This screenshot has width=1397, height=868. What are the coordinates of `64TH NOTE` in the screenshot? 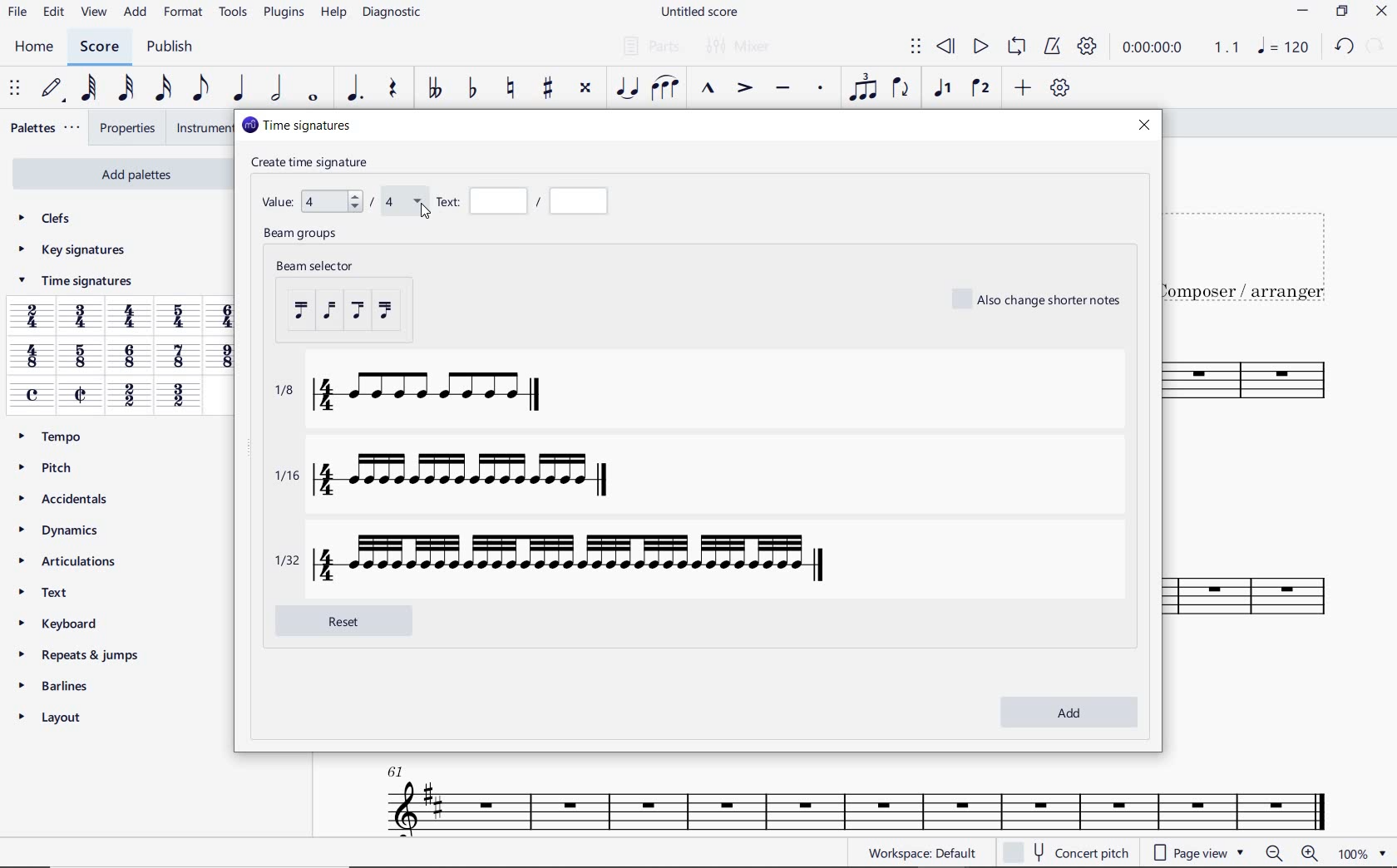 It's located at (88, 88).